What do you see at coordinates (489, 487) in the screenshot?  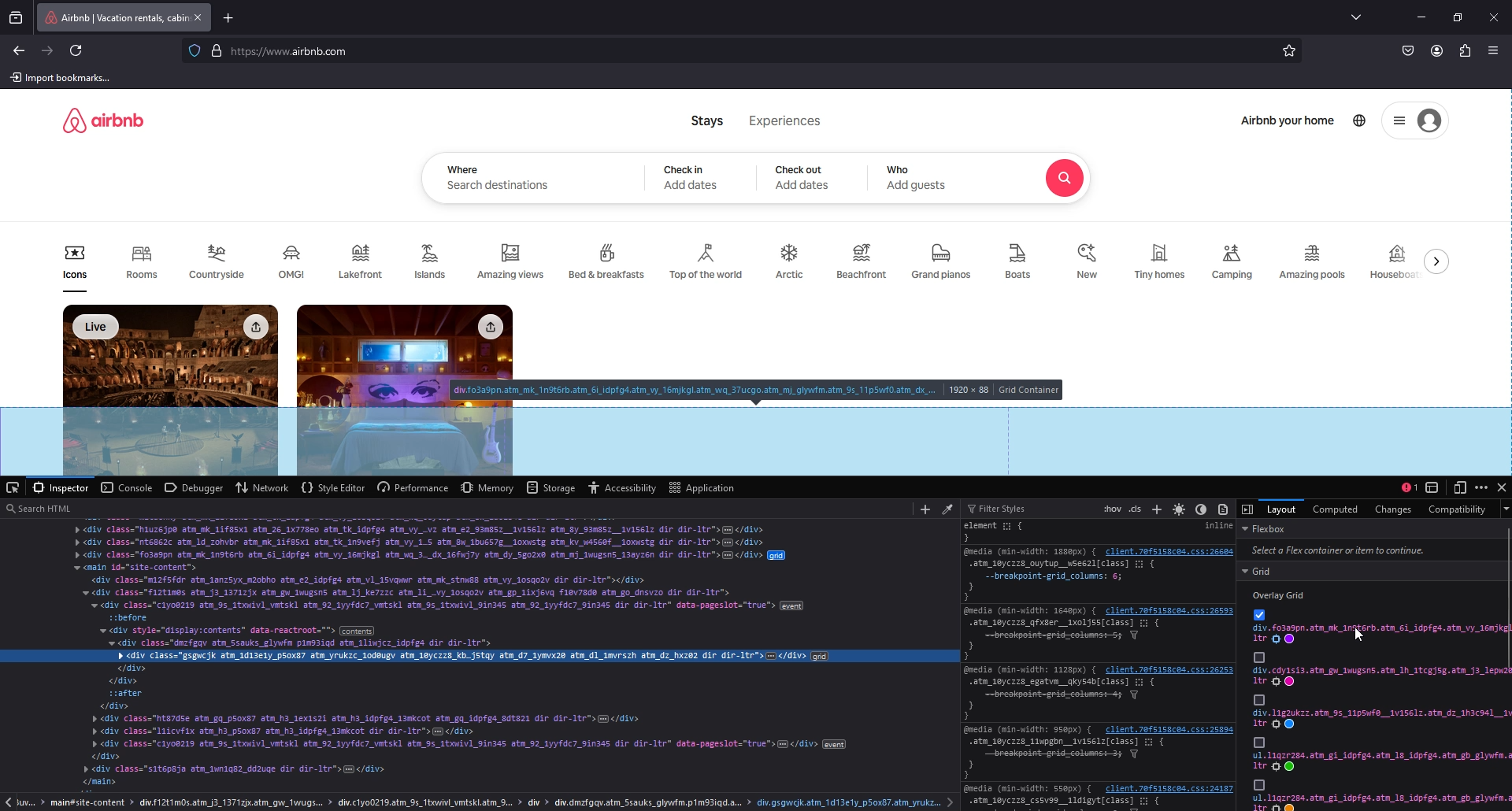 I see `memory` at bounding box center [489, 487].